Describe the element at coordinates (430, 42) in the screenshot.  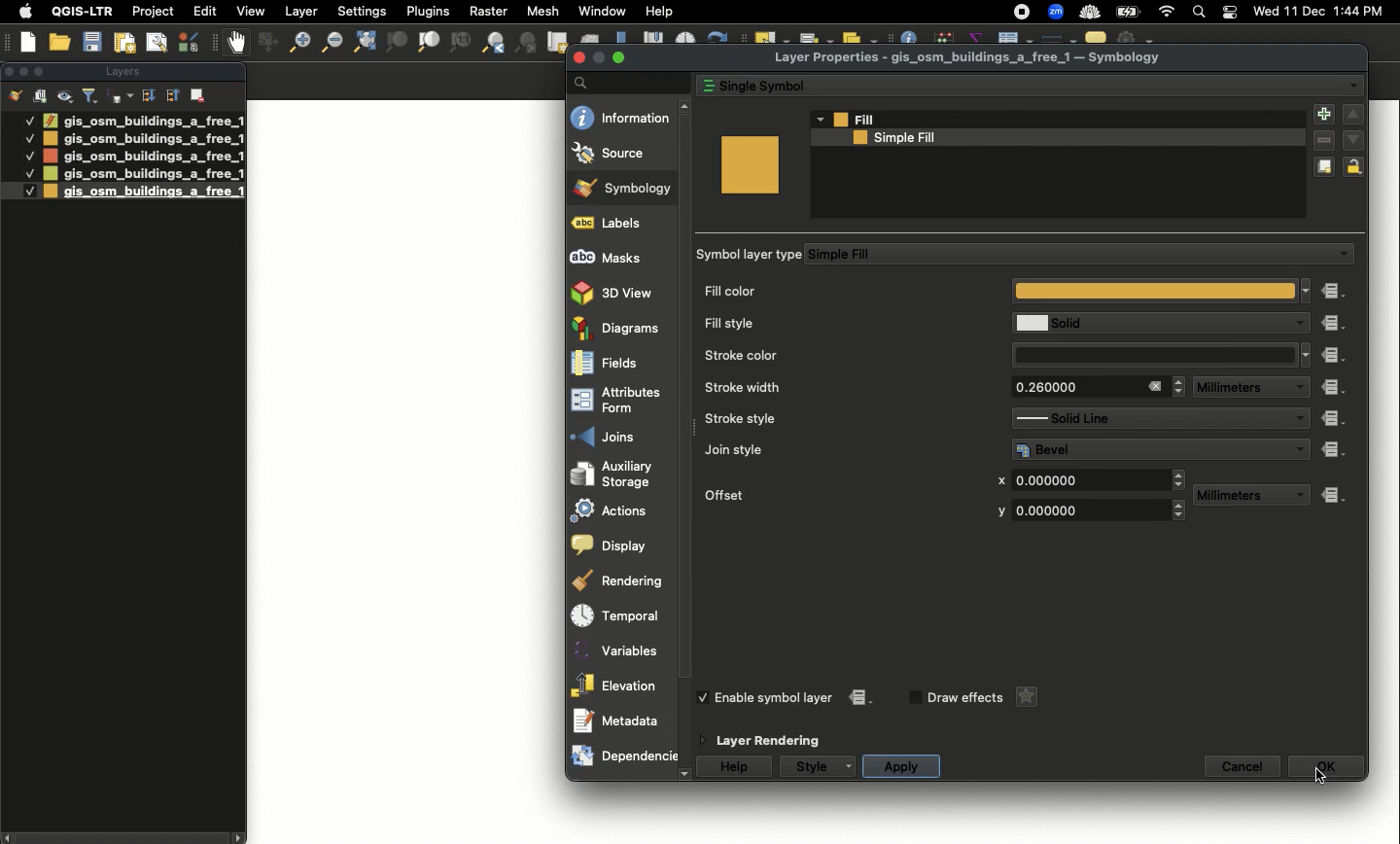
I see `Zoom to layer` at that location.